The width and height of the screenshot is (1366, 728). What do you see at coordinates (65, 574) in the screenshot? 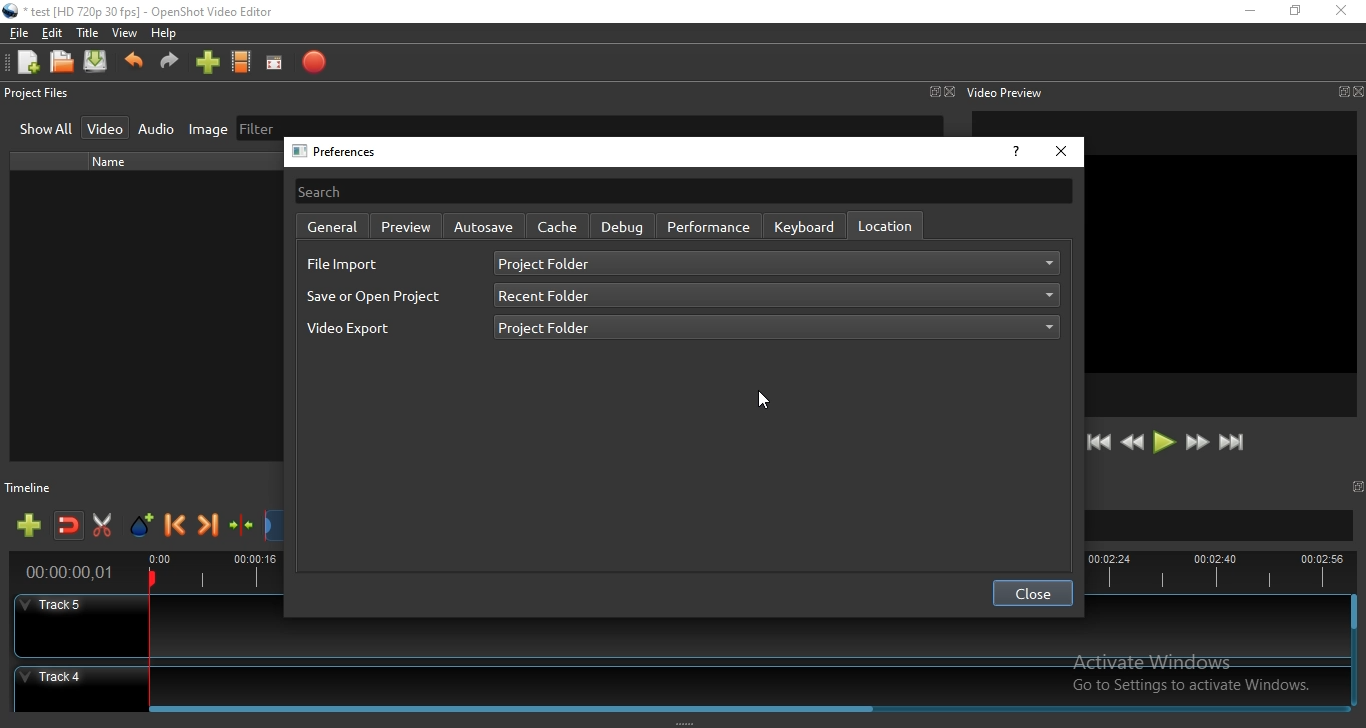
I see `time` at bounding box center [65, 574].